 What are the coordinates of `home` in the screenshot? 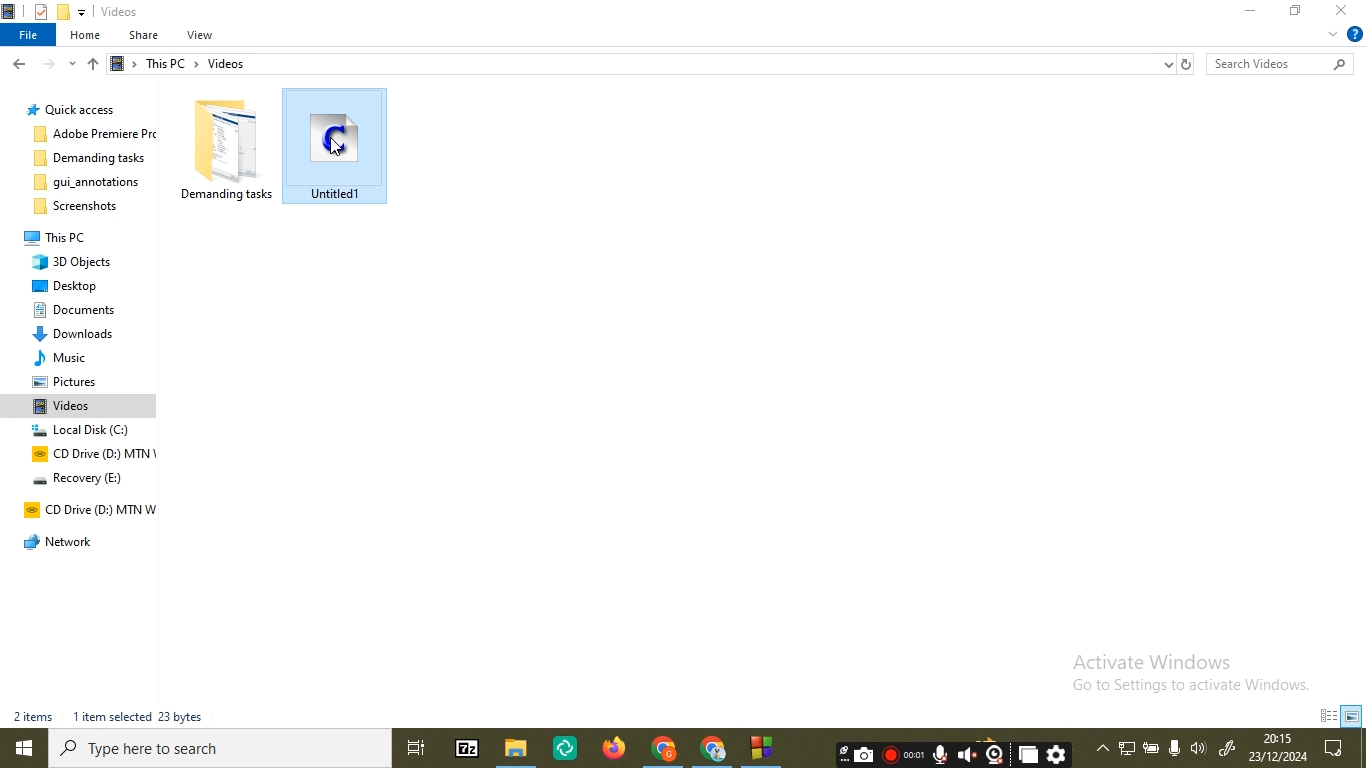 It's located at (83, 35).